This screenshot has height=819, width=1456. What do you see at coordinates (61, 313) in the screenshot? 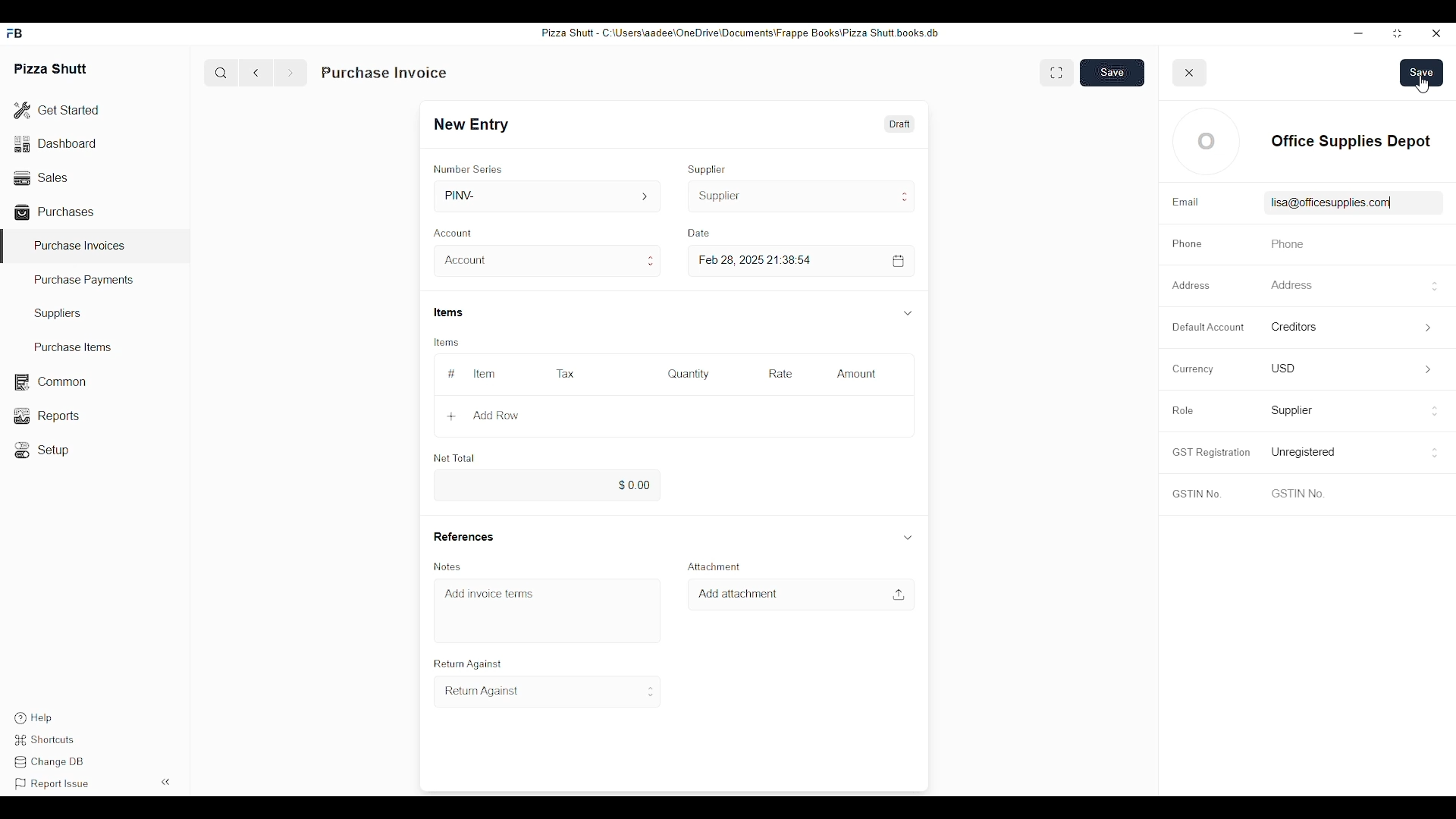
I see `Suppliers.` at bounding box center [61, 313].